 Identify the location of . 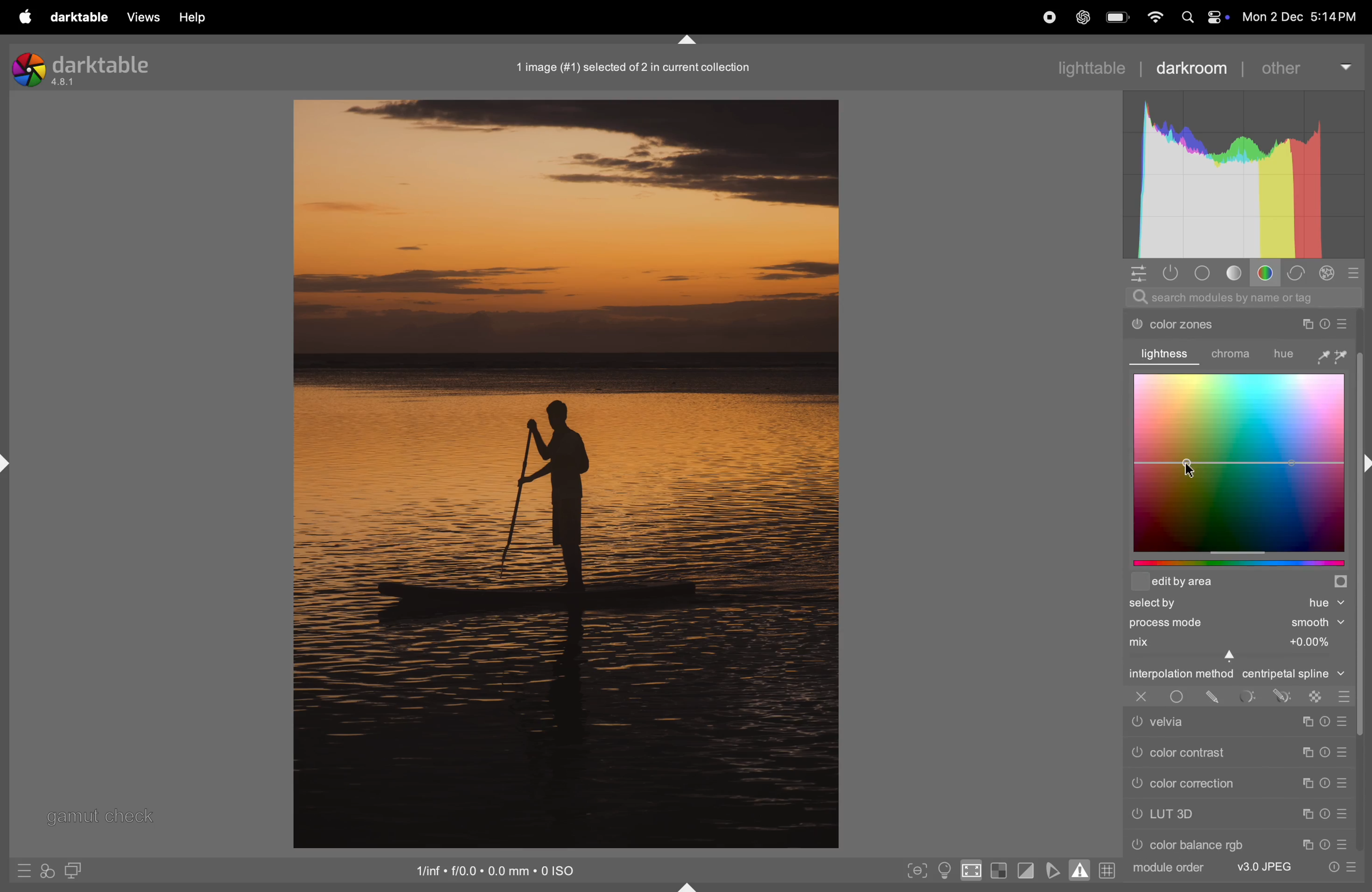
(1140, 271).